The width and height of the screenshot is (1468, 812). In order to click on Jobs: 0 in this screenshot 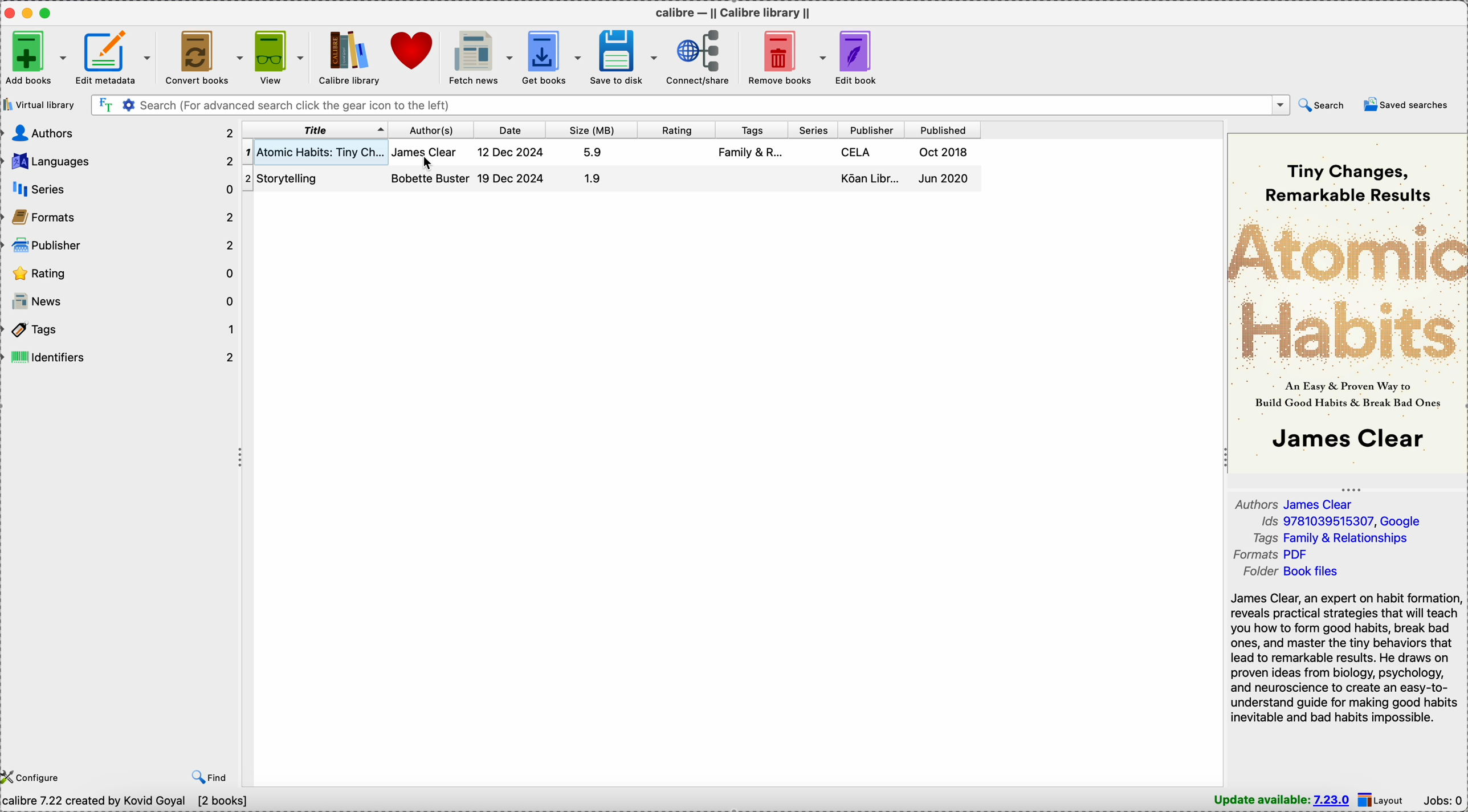, I will do `click(1442, 799)`.